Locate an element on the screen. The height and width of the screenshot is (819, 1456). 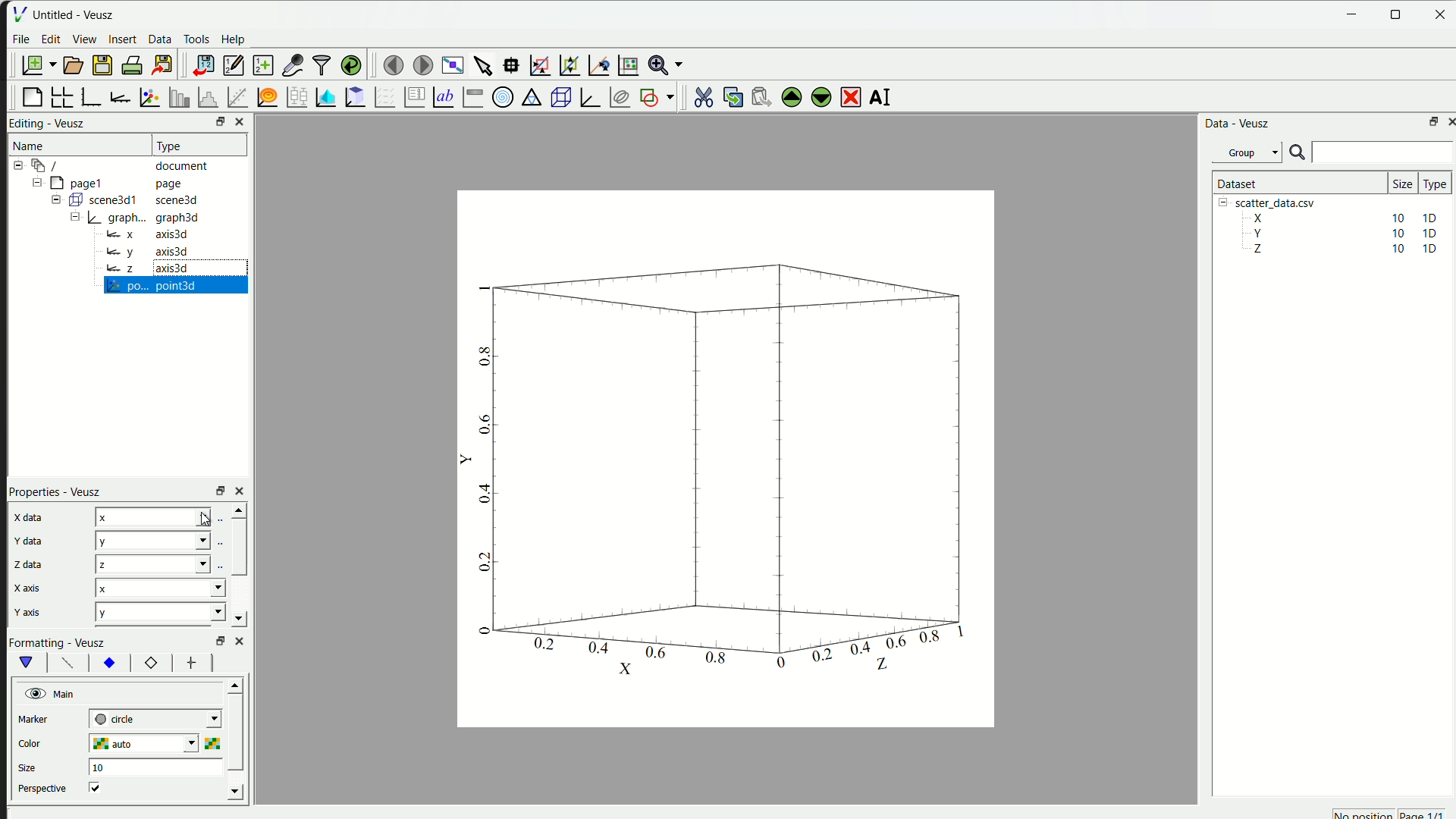
close is located at coordinates (240, 640).